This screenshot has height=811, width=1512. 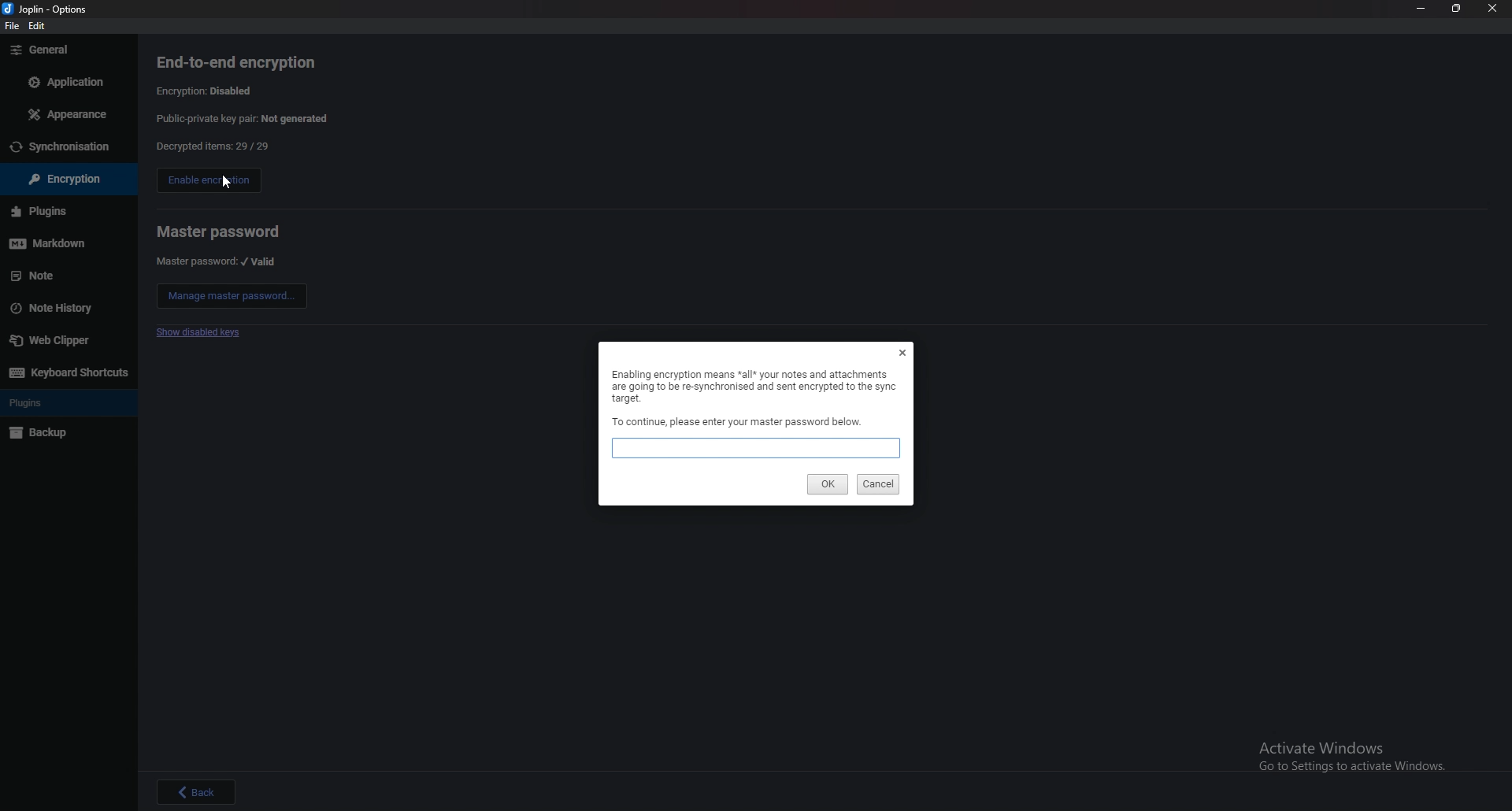 I want to click on , so click(x=902, y=351).